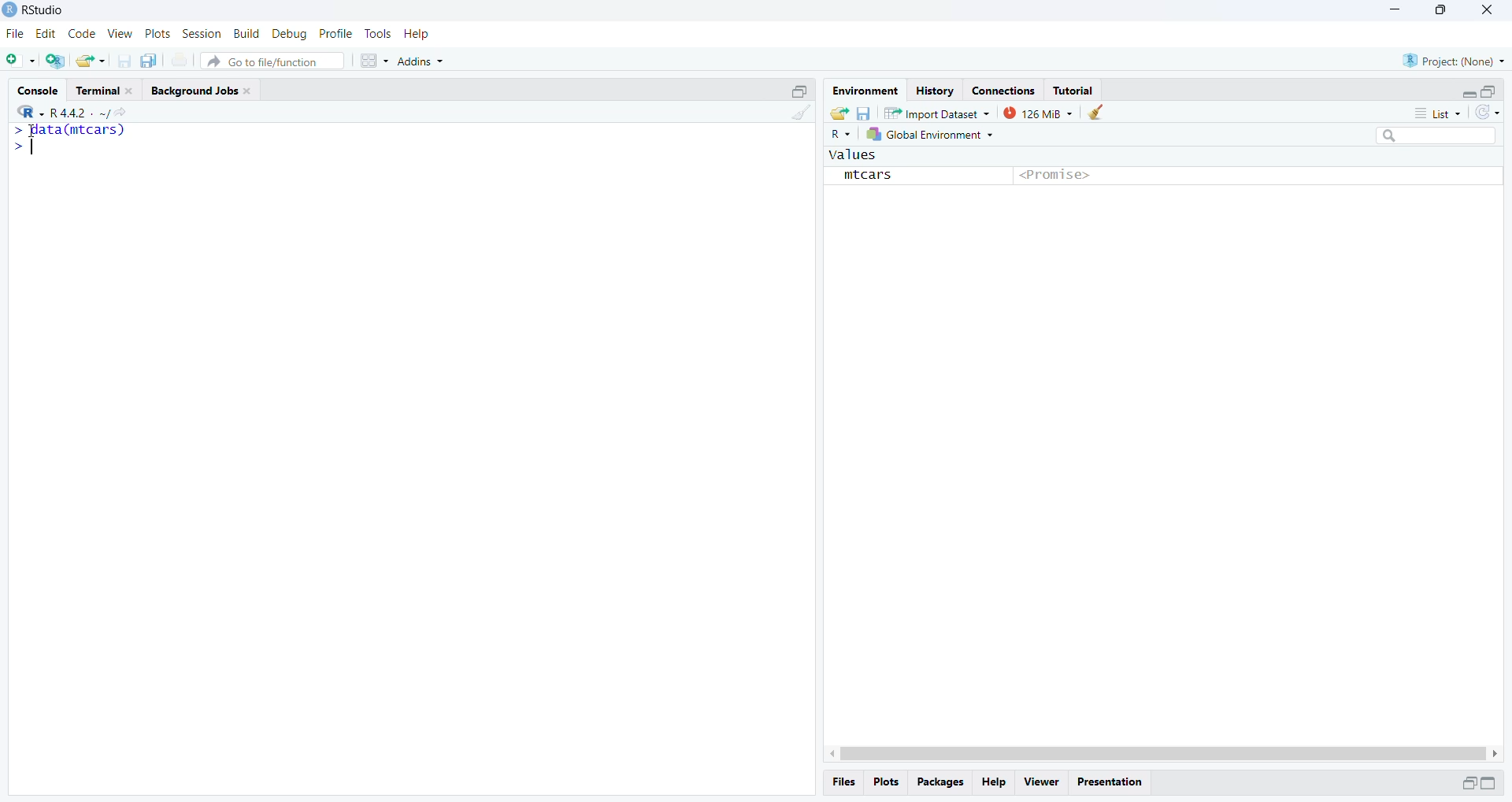  Describe the element at coordinates (799, 90) in the screenshot. I see `minimize` at that location.